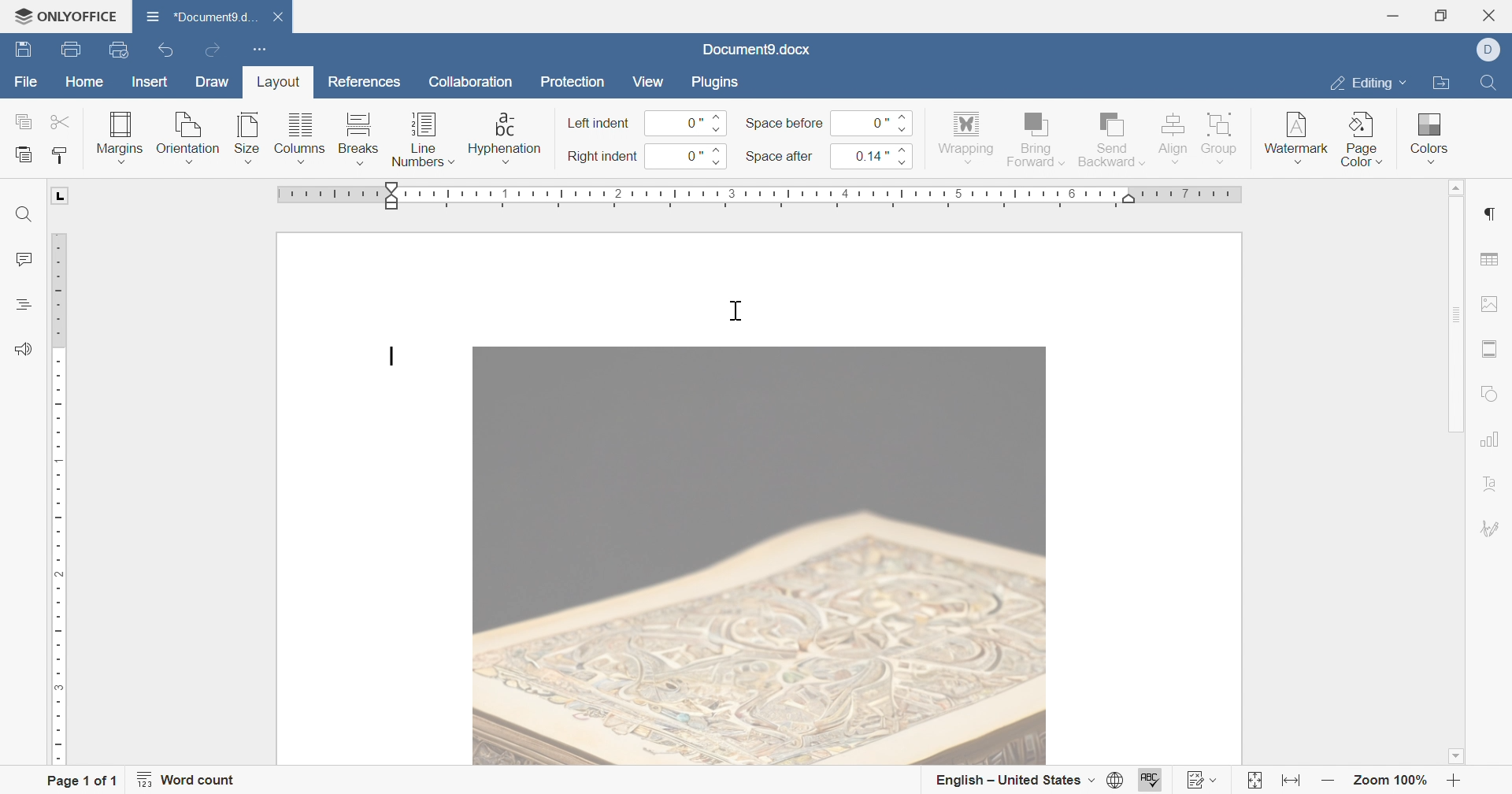 This screenshot has width=1512, height=794. What do you see at coordinates (599, 124) in the screenshot?
I see `left indent` at bounding box center [599, 124].